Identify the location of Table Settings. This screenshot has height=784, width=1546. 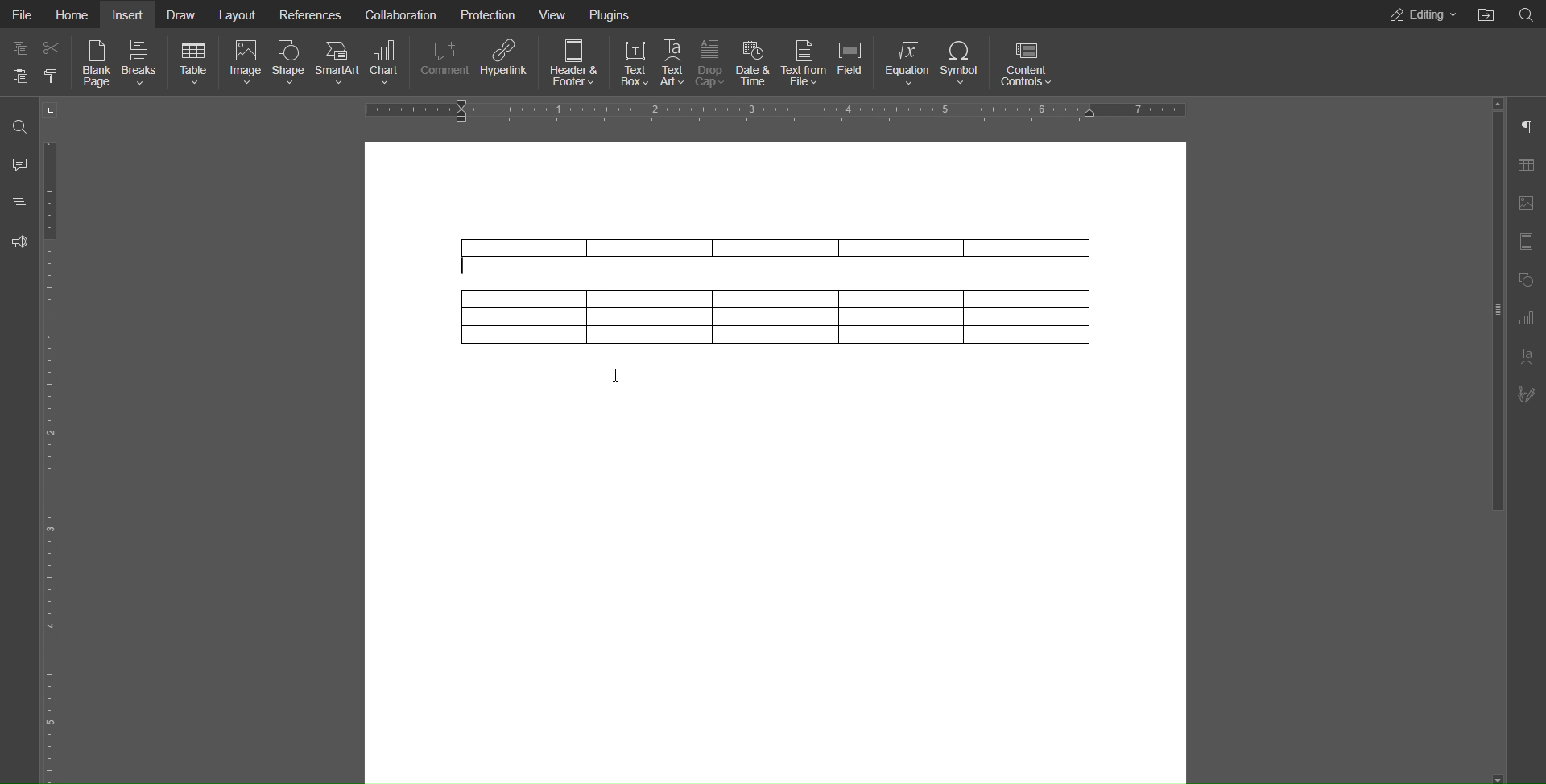
(1523, 165).